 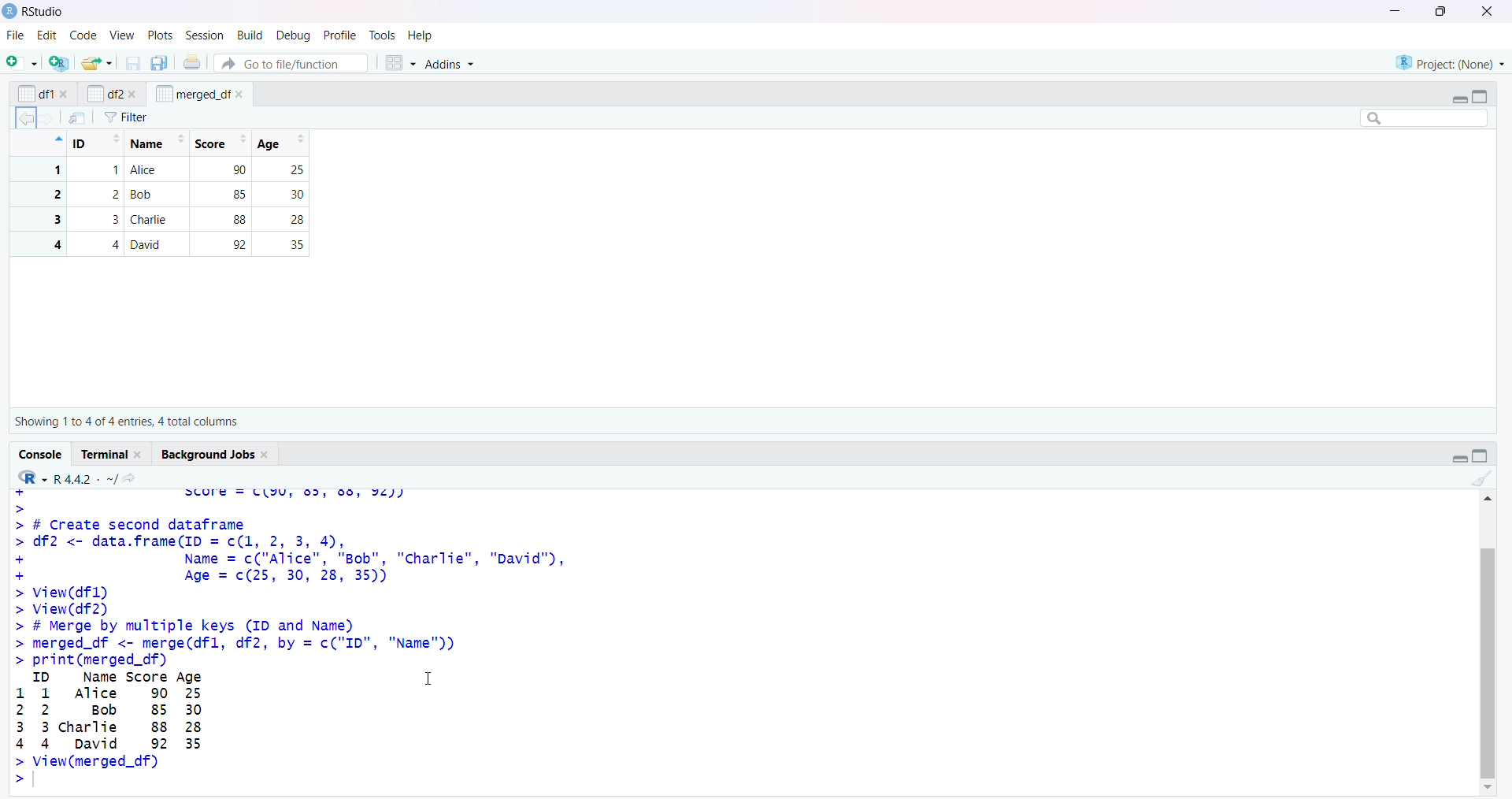 I want to click on Help, so click(x=420, y=35).